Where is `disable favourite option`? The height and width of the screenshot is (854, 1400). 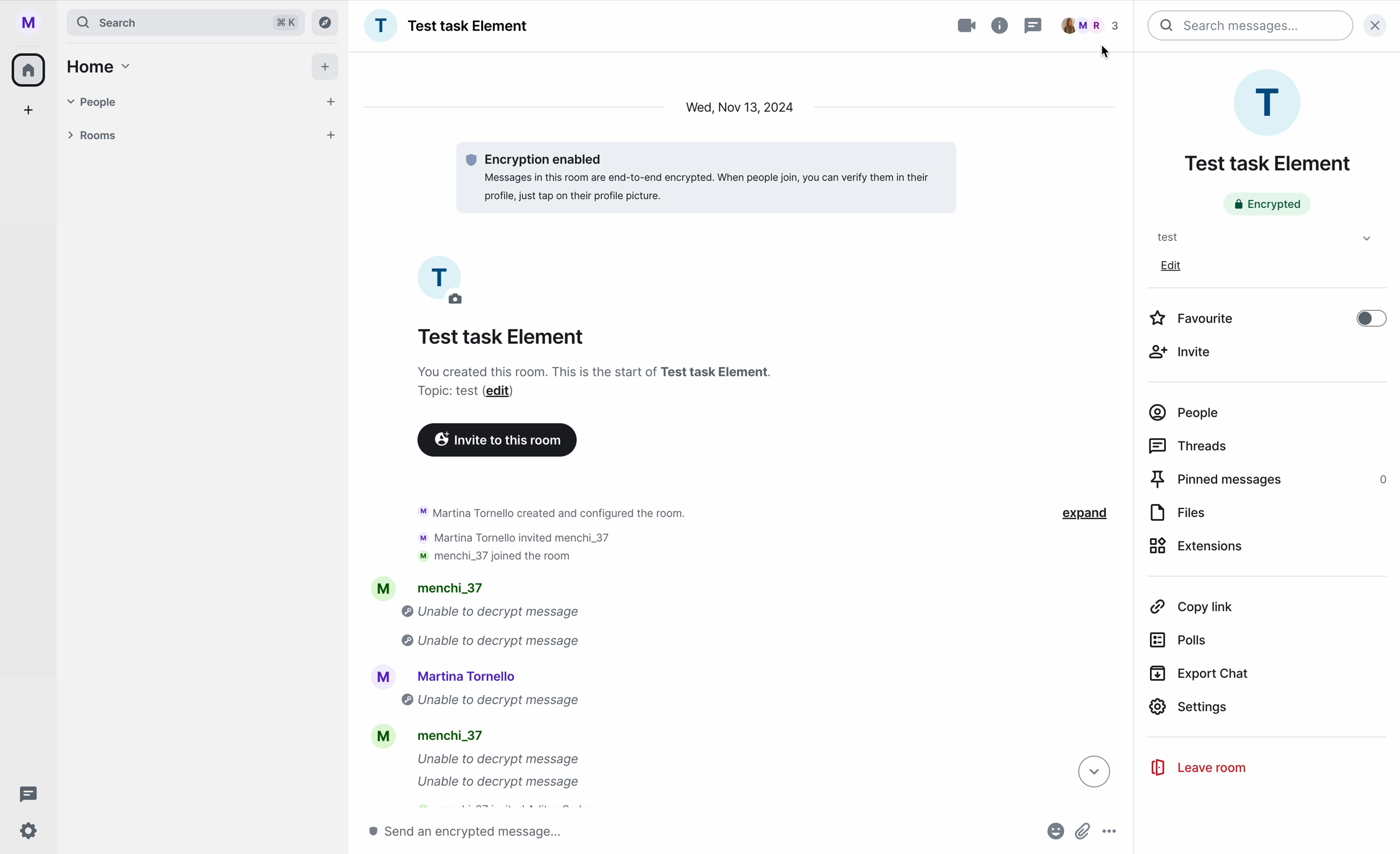 disable favourite option is located at coordinates (1268, 316).